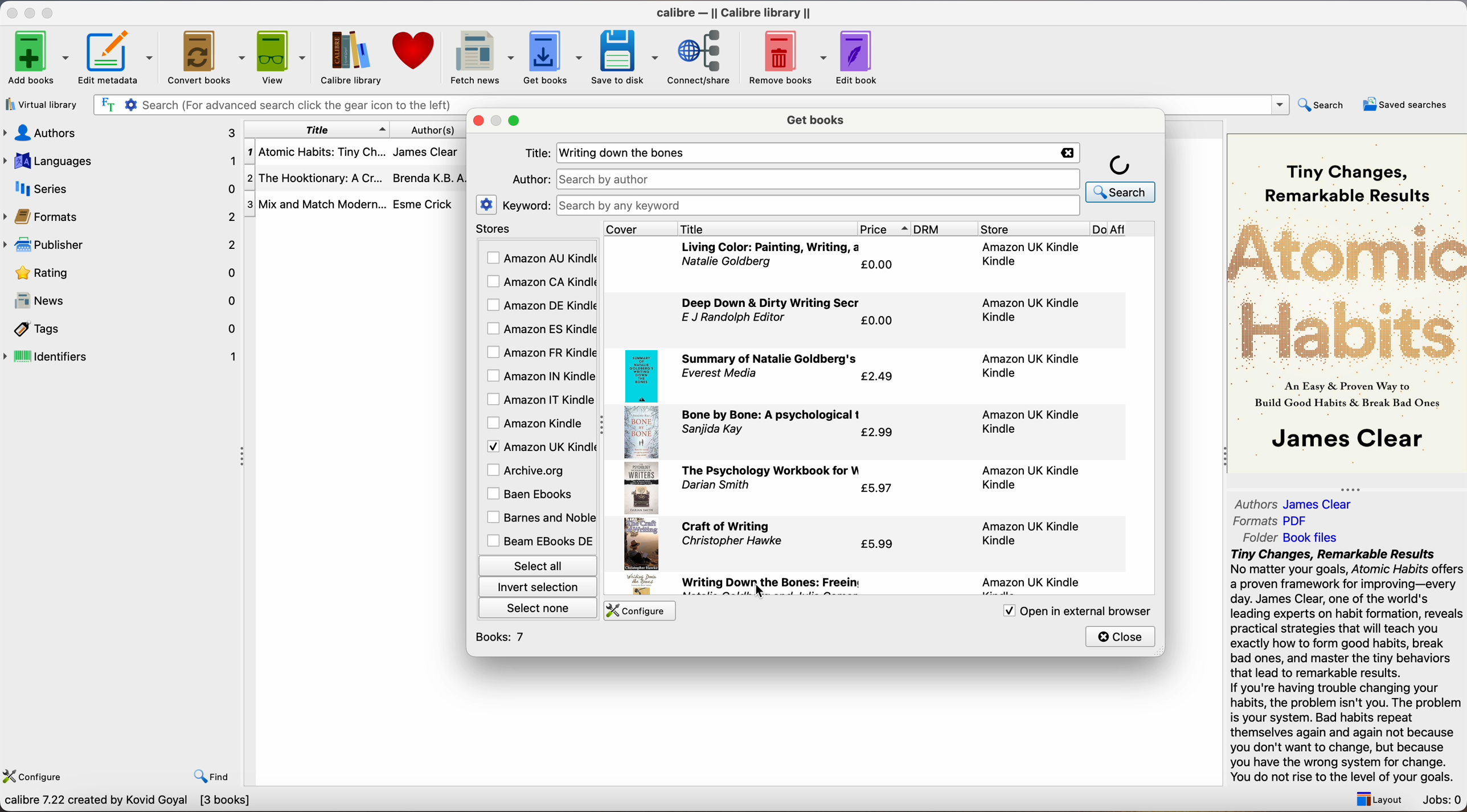 Image resolution: width=1467 pixels, height=812 pixels. Describe the element at coordinates (317, 129) in the screenshot. I see `title` at that location.